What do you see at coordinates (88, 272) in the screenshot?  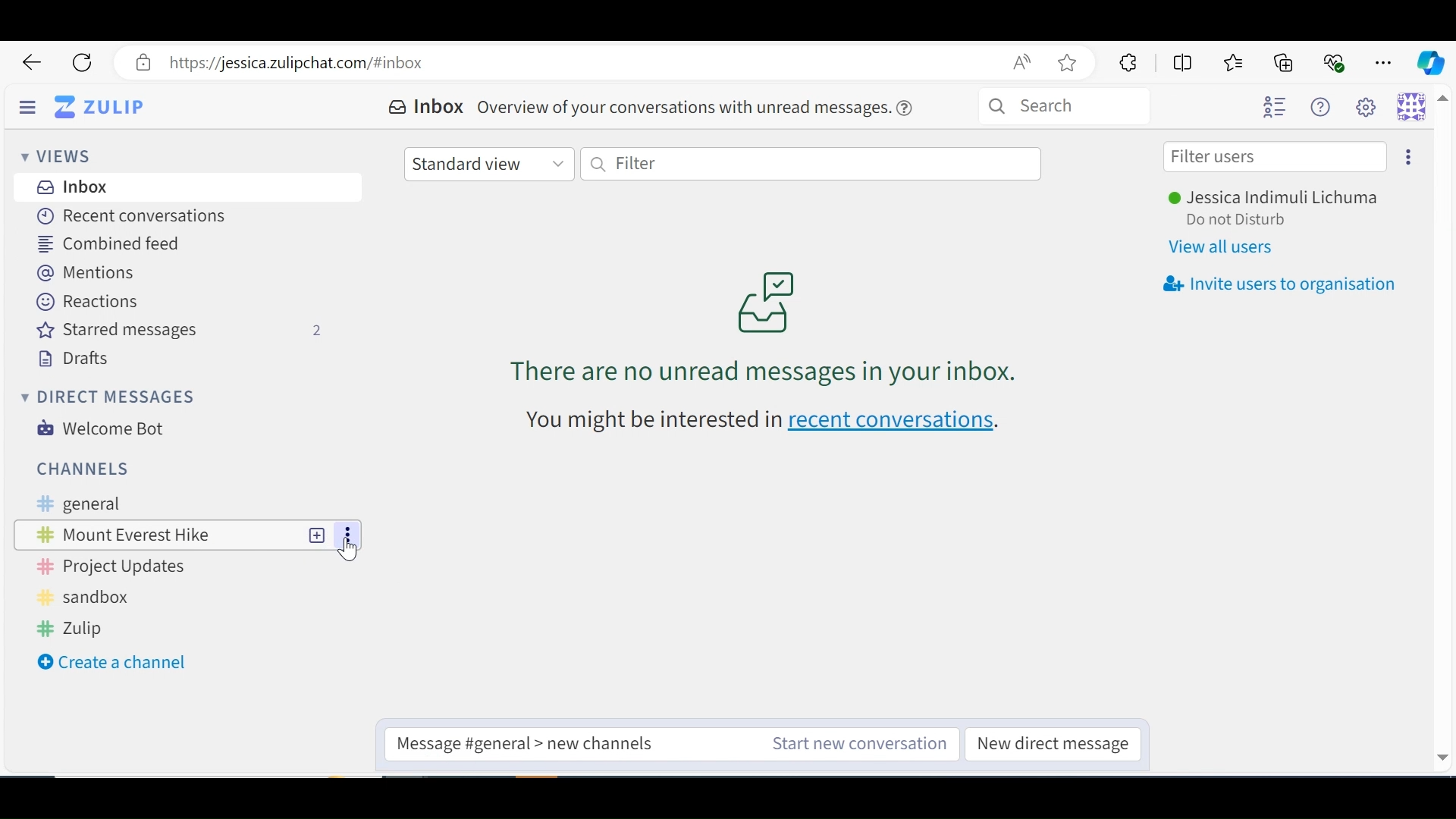 I see `Mentions` at bounding box center [88, 272].